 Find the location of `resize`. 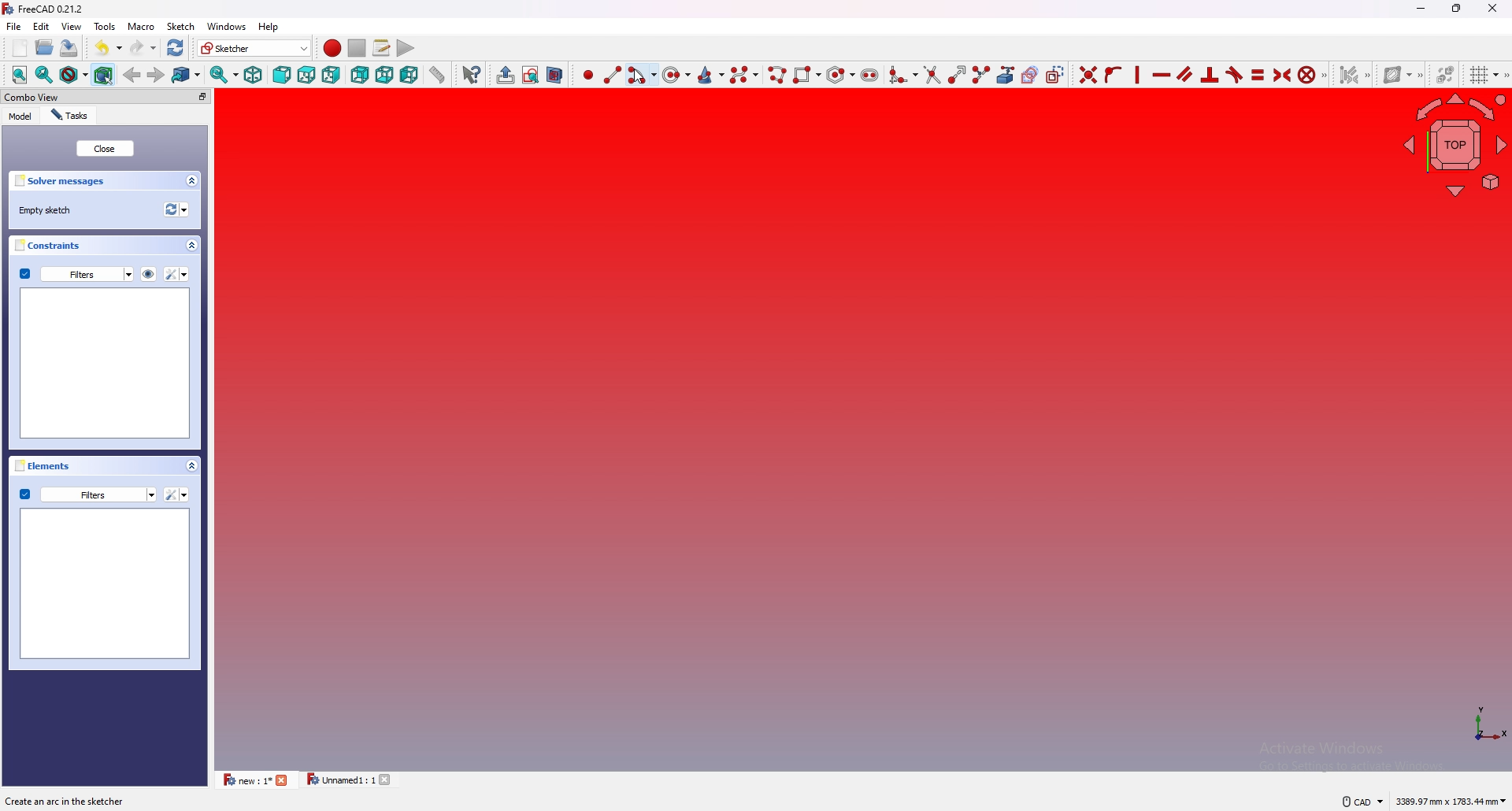

resize is located at coordinates (1458, 8).